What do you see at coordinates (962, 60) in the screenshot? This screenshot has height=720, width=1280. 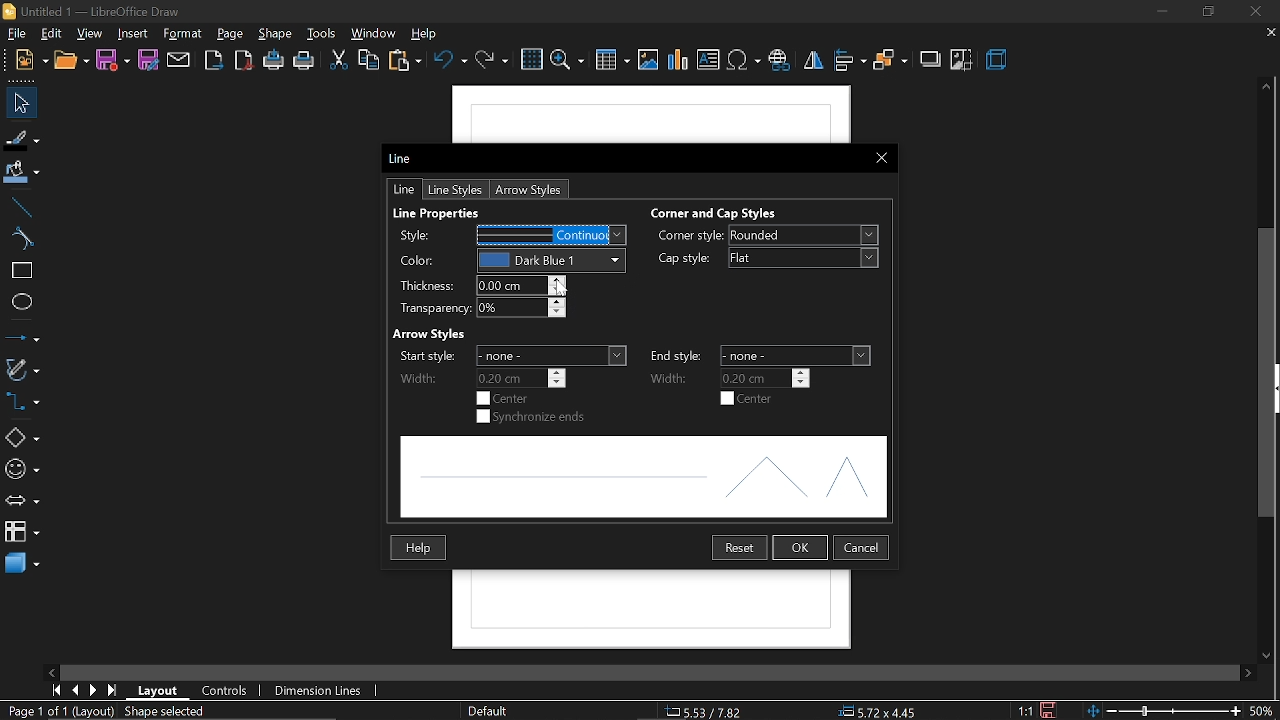 I see `crop` at bounding box center [962, 60].